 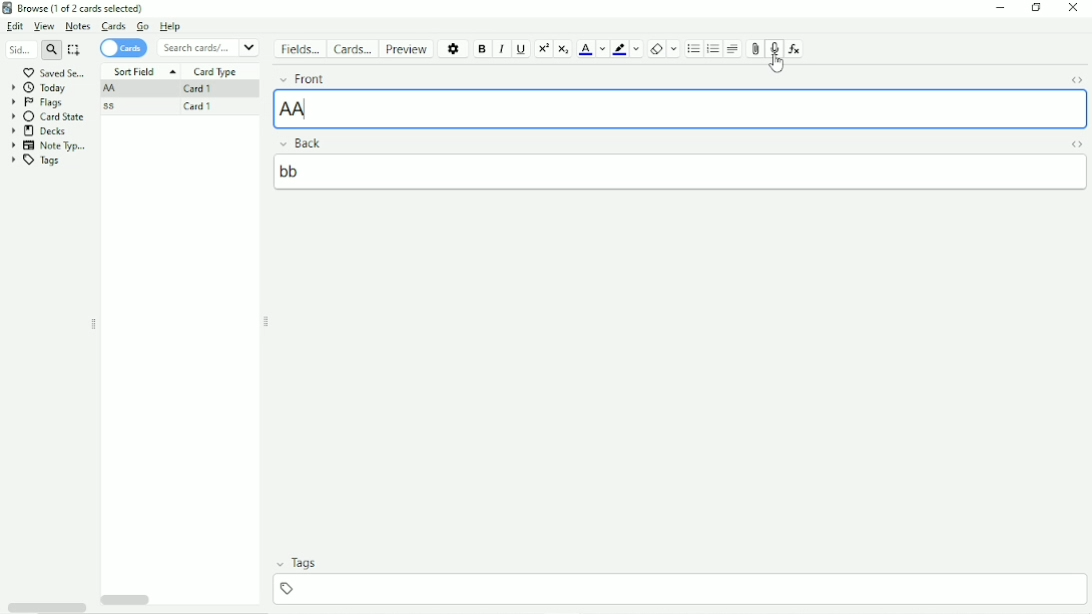 What do you see at coordinates (54, 73) in the screenshot?
I see `Saved Search` at bounding box center [54, 73].